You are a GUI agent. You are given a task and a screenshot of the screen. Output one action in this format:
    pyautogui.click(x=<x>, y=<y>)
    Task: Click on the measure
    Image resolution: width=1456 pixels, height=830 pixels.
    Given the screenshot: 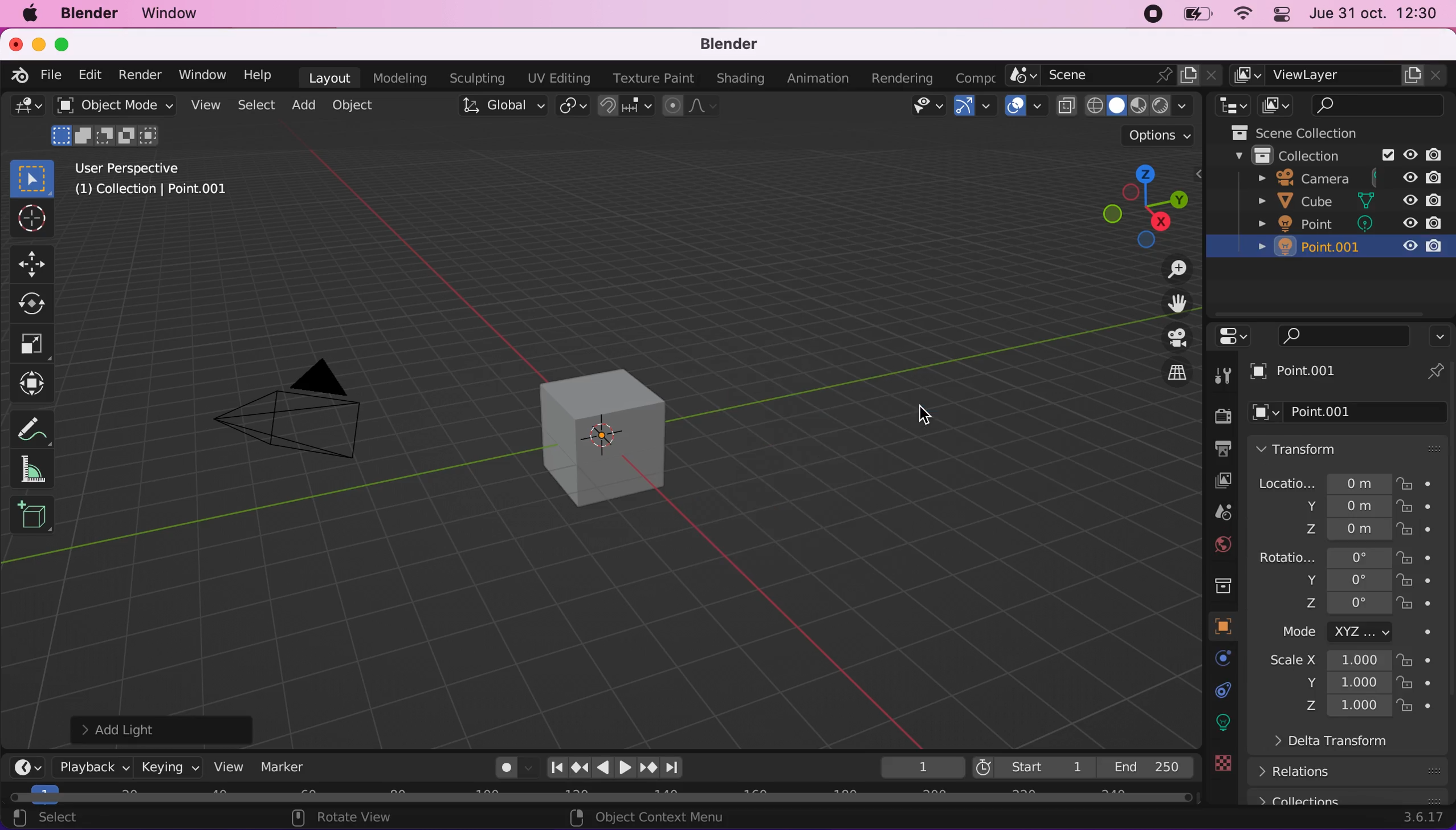 What is the action you would take?
    pyautogui.click(x=35, y=471)
    